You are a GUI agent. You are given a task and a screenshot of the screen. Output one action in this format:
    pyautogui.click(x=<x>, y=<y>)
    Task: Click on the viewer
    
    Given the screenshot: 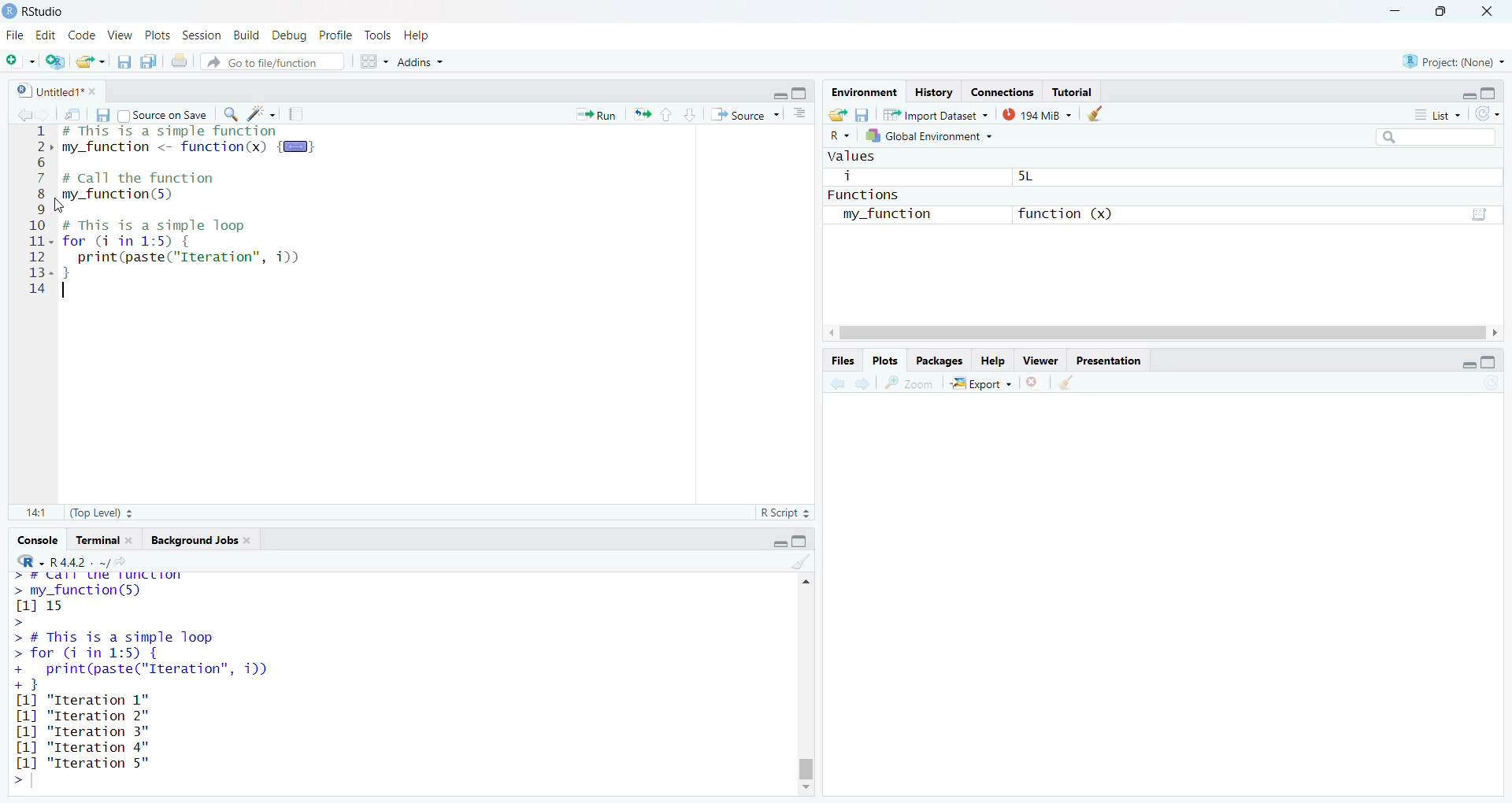 What is the action you would take?
    pyautogui.click(x=1041, y=358)
    